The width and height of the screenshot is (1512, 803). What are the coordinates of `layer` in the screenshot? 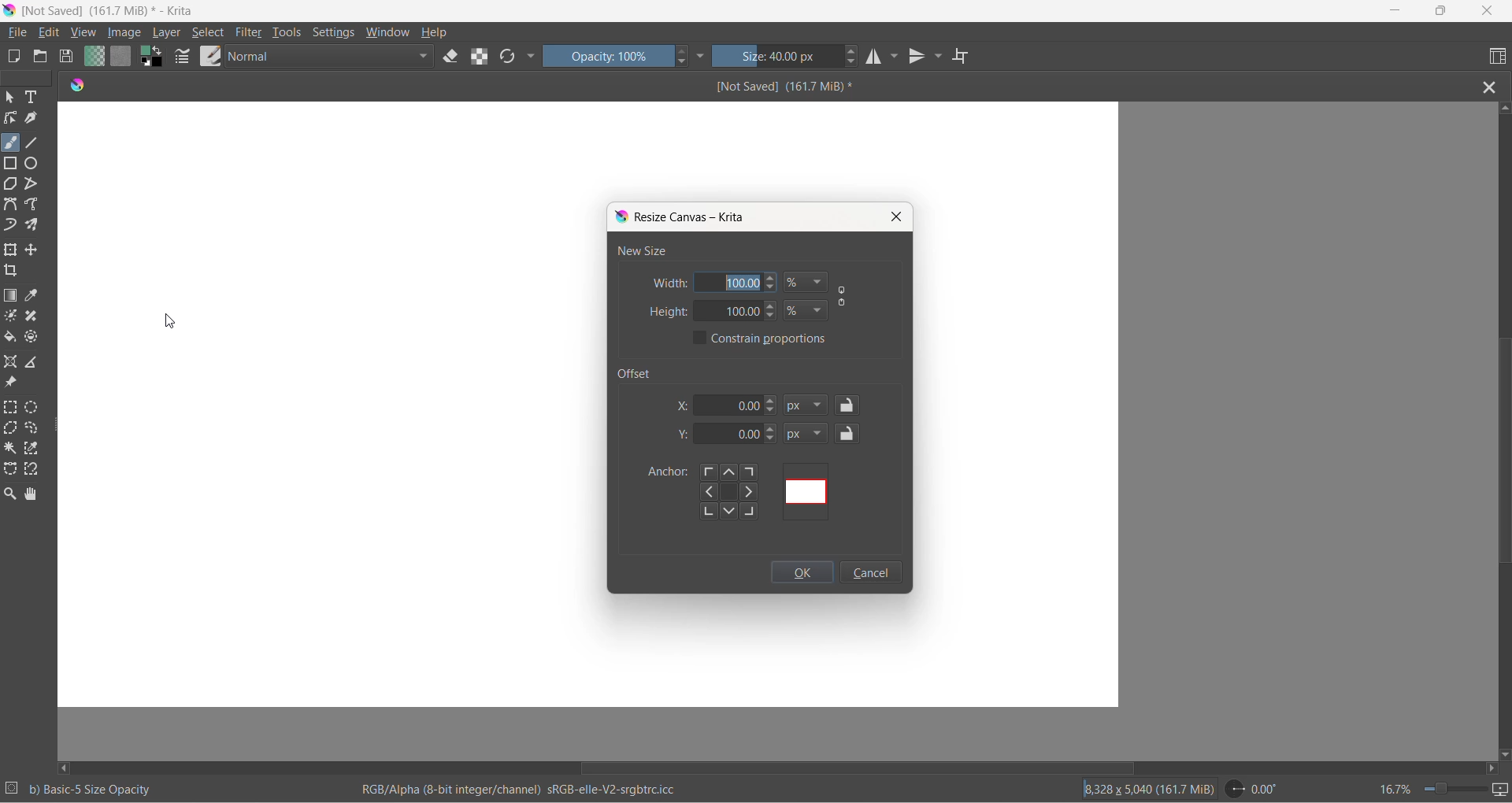 It's located at (169, 33).